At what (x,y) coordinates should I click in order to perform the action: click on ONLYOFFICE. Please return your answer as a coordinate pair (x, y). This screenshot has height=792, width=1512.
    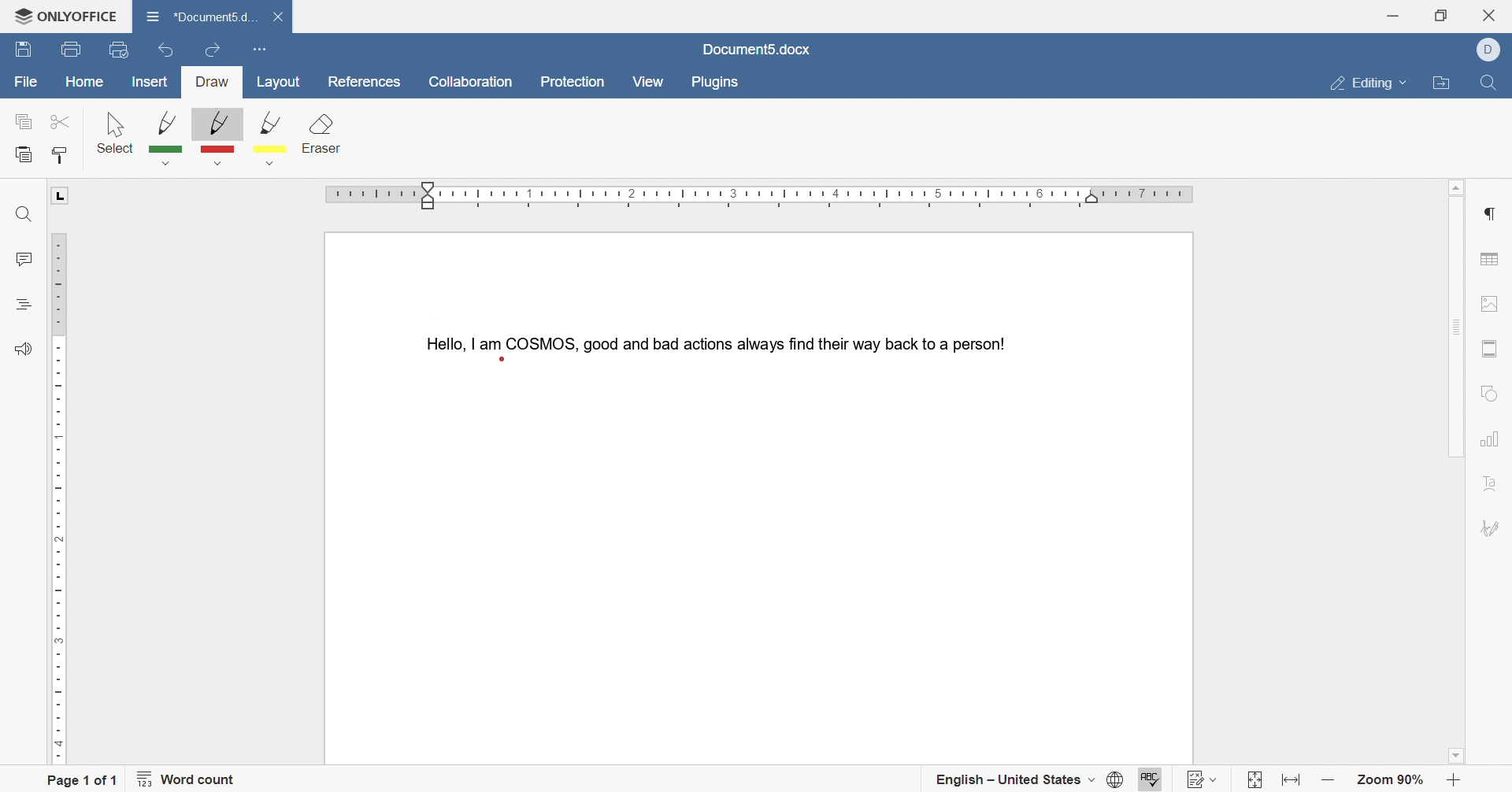
    Looking at the image, I should click on (60, 13).